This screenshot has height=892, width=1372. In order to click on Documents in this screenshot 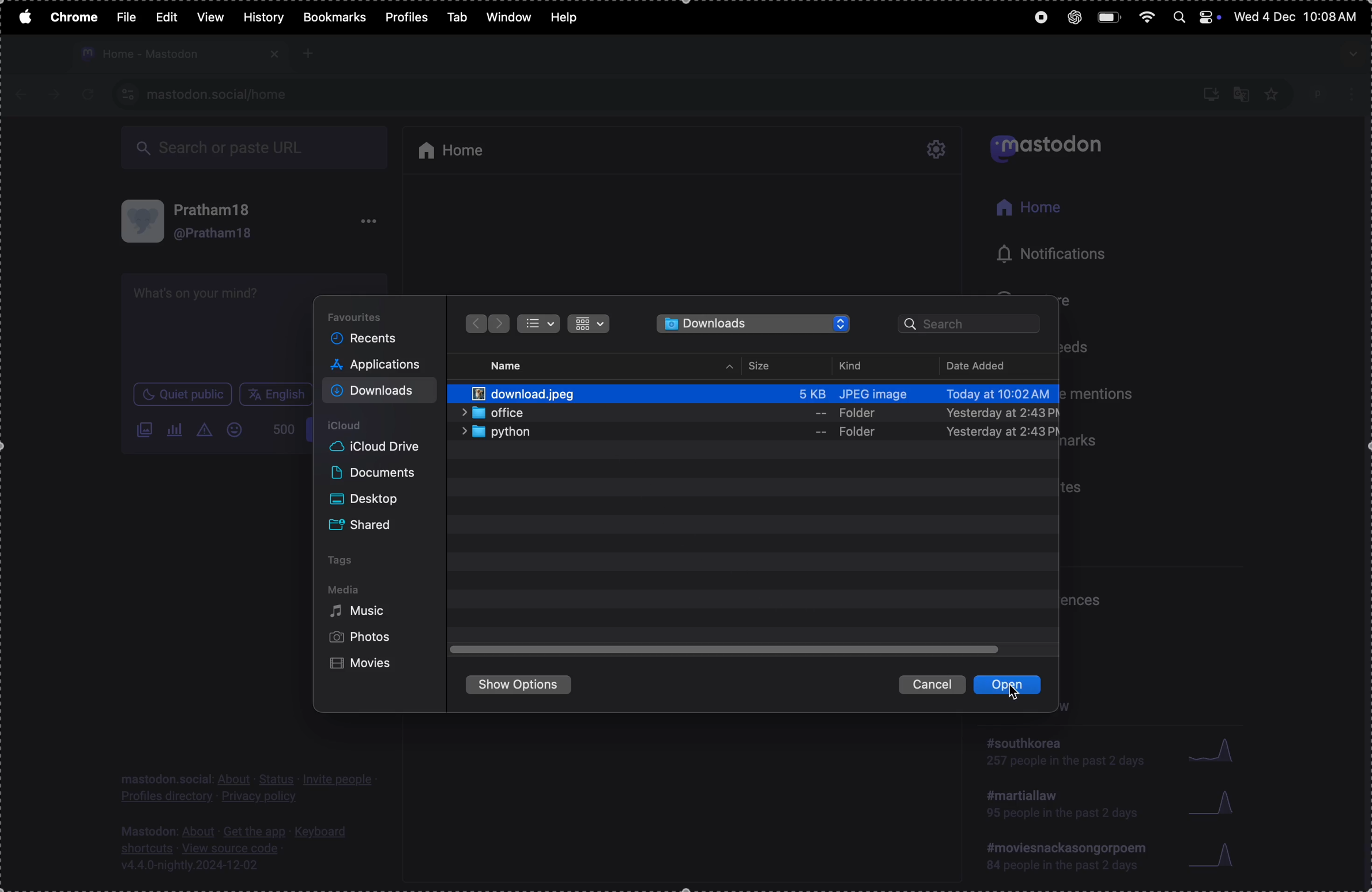, I will do `click(376, 474)`.